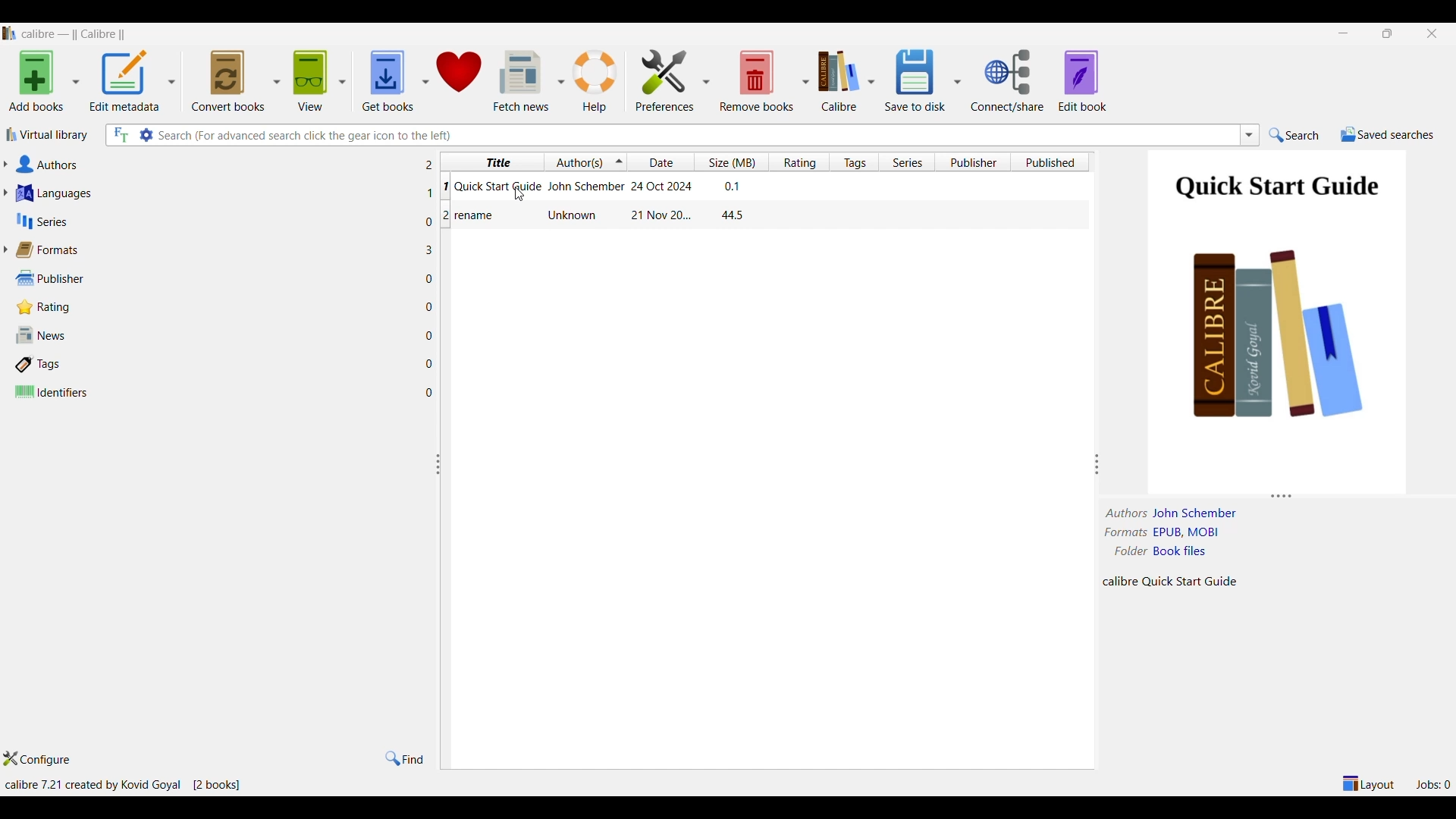 The height and width of the screenshot is (819, 1456). Describe the element at coordinates (277, 80) in the screenshot. I see `Convert book options` at that location.